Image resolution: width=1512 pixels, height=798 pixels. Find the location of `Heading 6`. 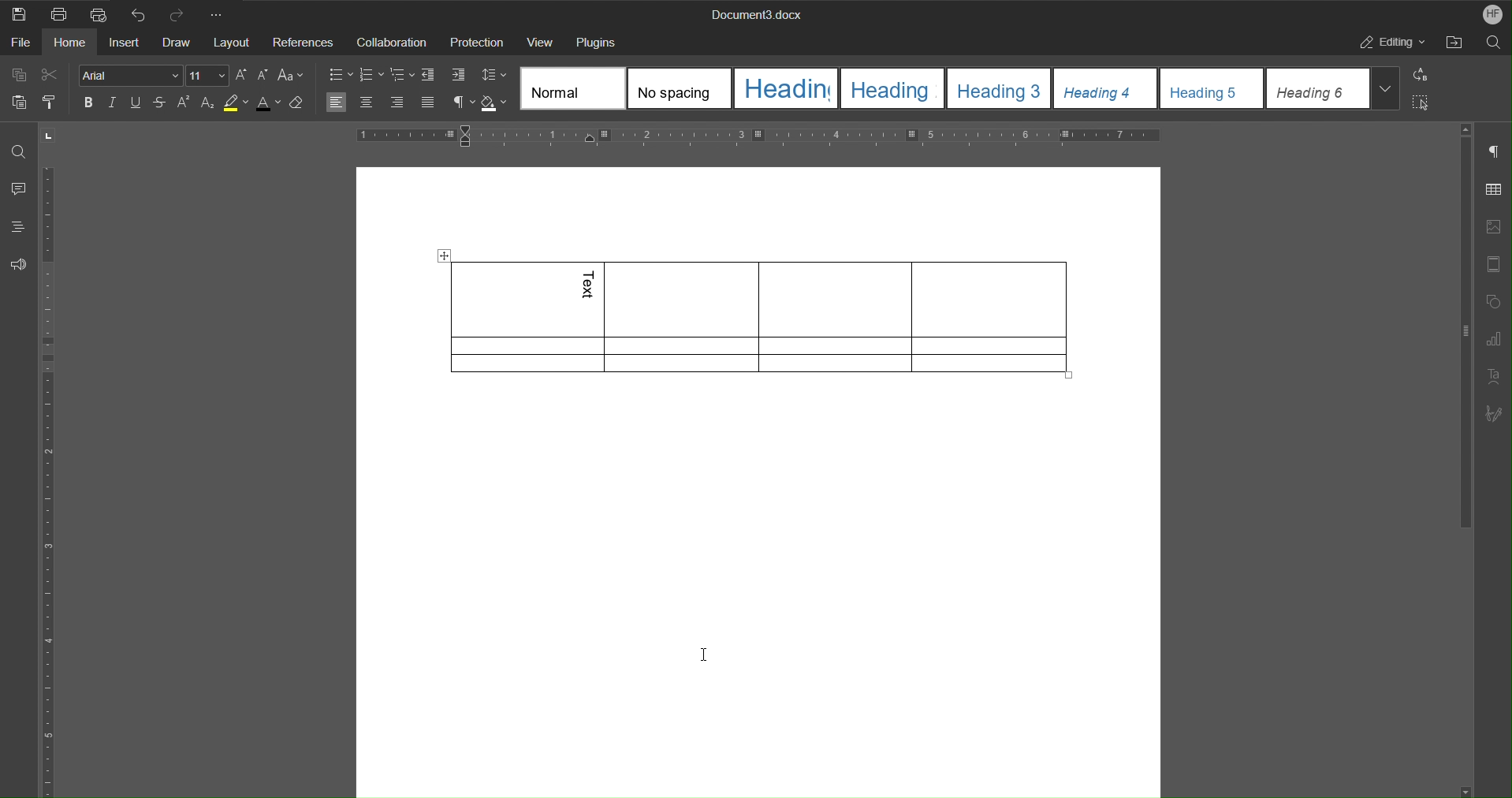

Heading 6 is located at coordinates (1319, 89).